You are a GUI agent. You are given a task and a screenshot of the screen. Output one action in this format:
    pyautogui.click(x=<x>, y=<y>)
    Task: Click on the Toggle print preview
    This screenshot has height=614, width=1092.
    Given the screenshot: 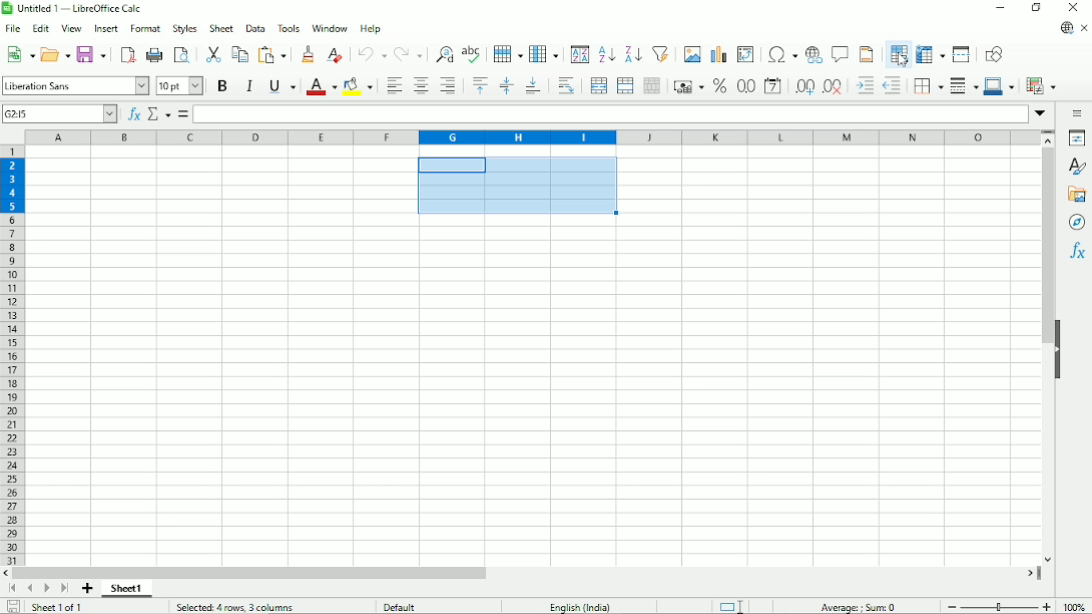 What is the action you would take?
    pyautogui.click(x=183, y=56)
    